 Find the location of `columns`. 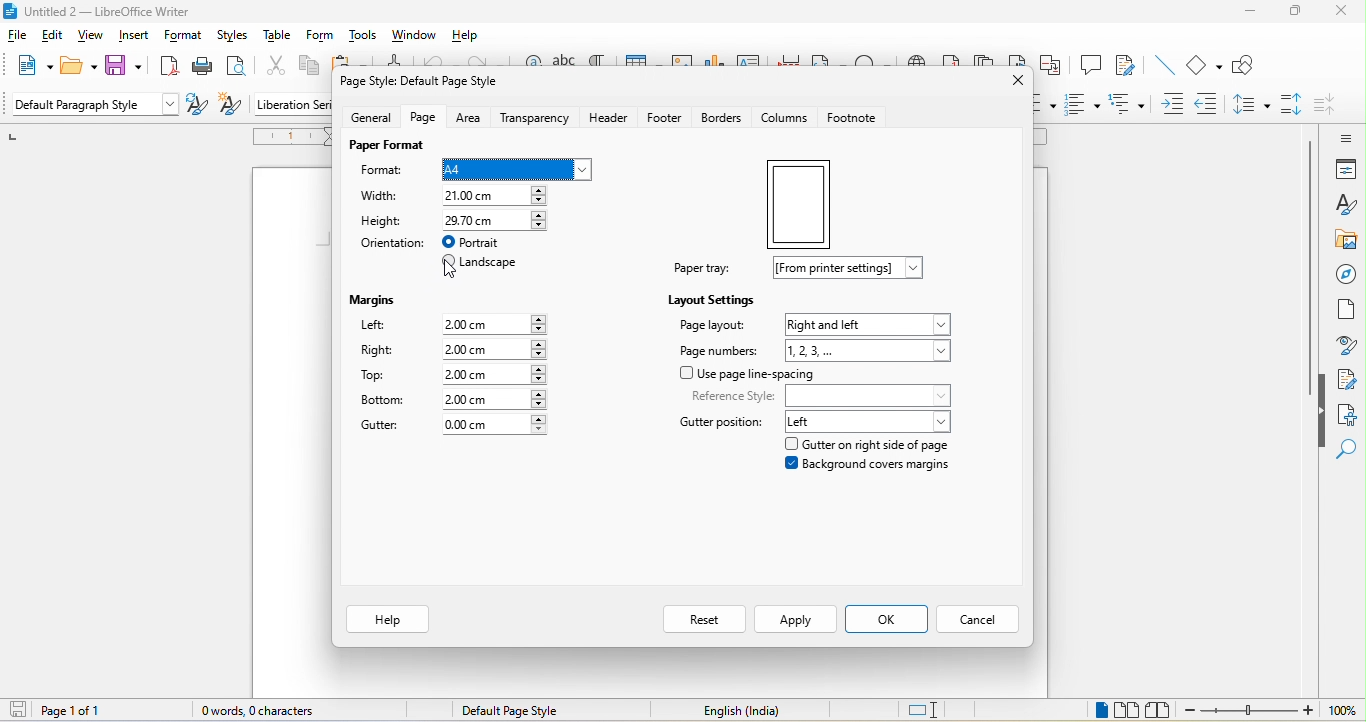

columns is located at coordinates (784, 117).